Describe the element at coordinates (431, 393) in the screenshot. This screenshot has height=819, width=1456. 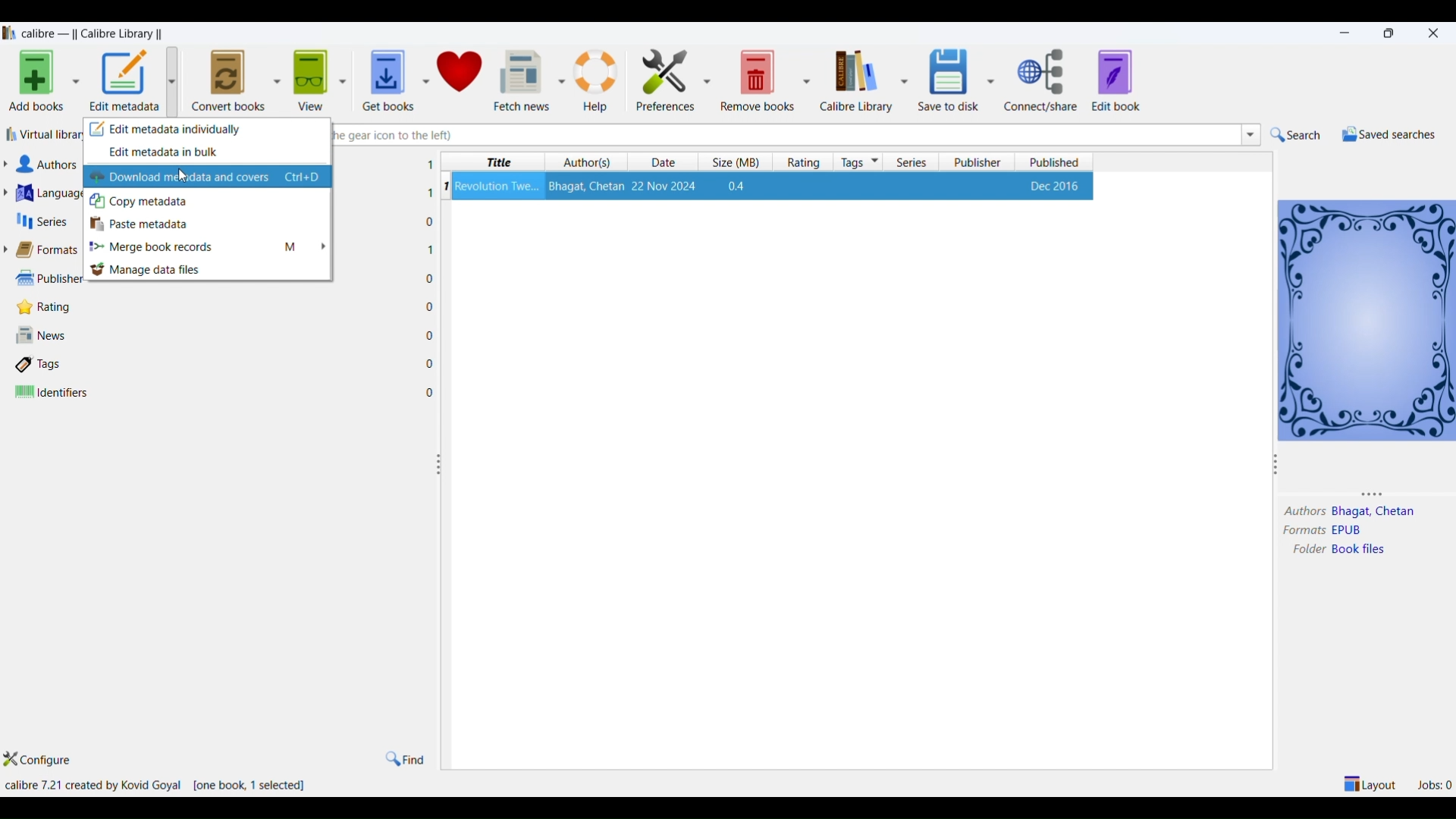
I see `0` at that location.